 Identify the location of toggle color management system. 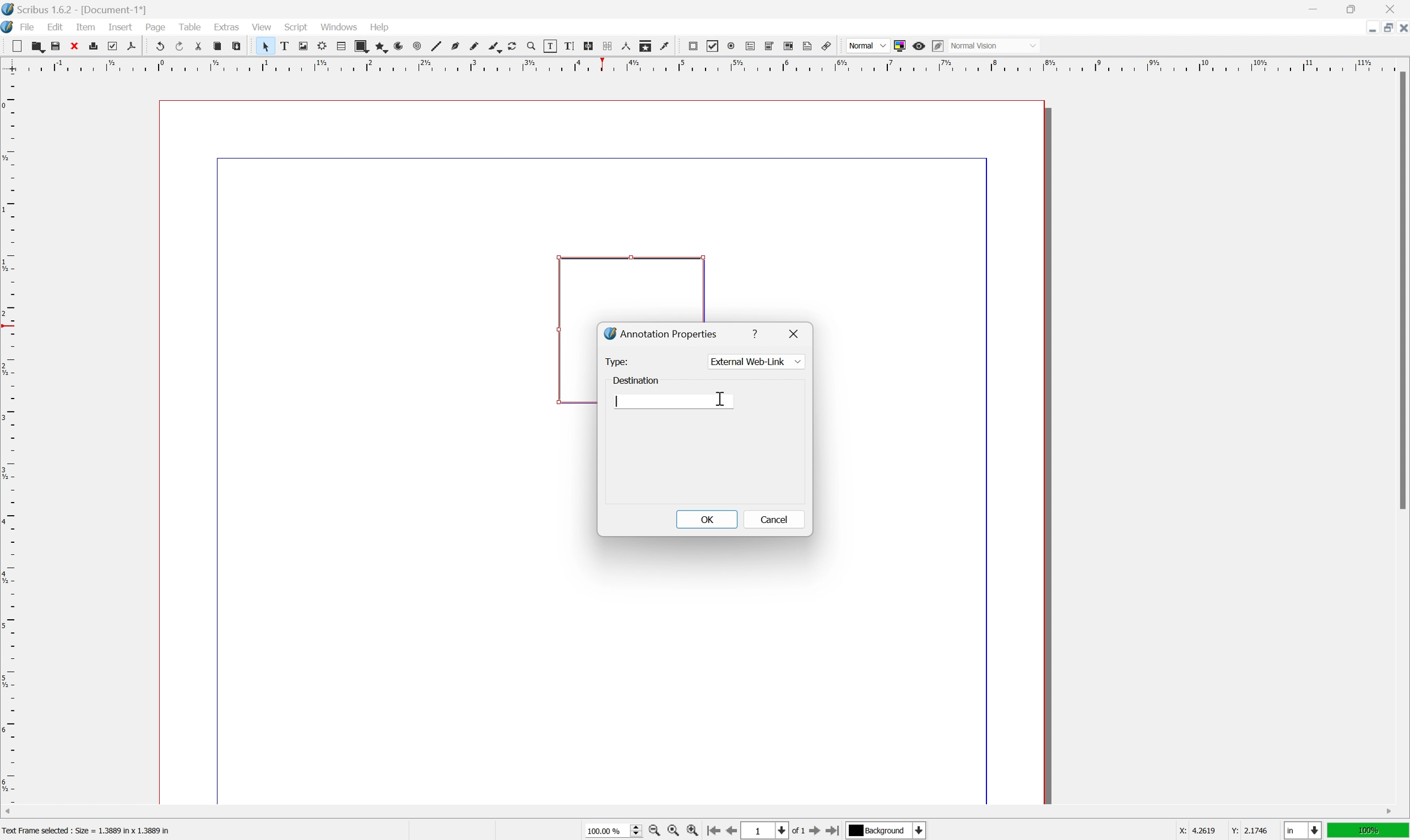
(900, 46).